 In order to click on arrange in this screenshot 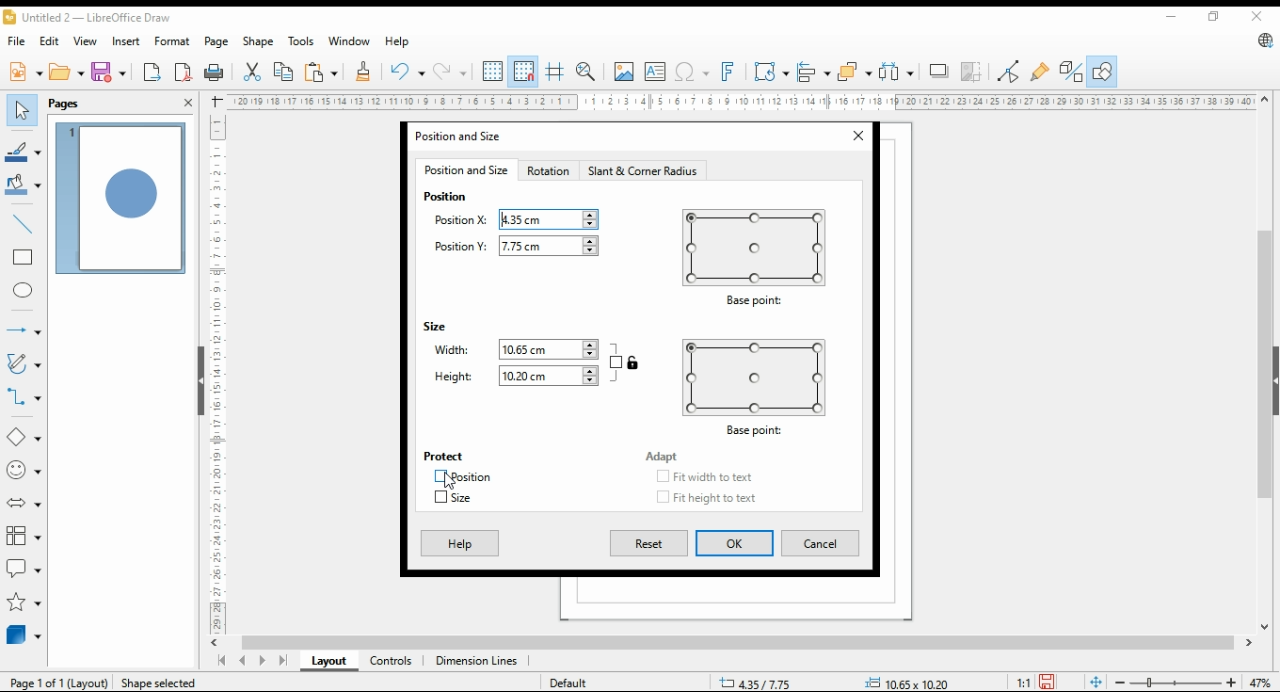, I will do `click(854, 71)`.